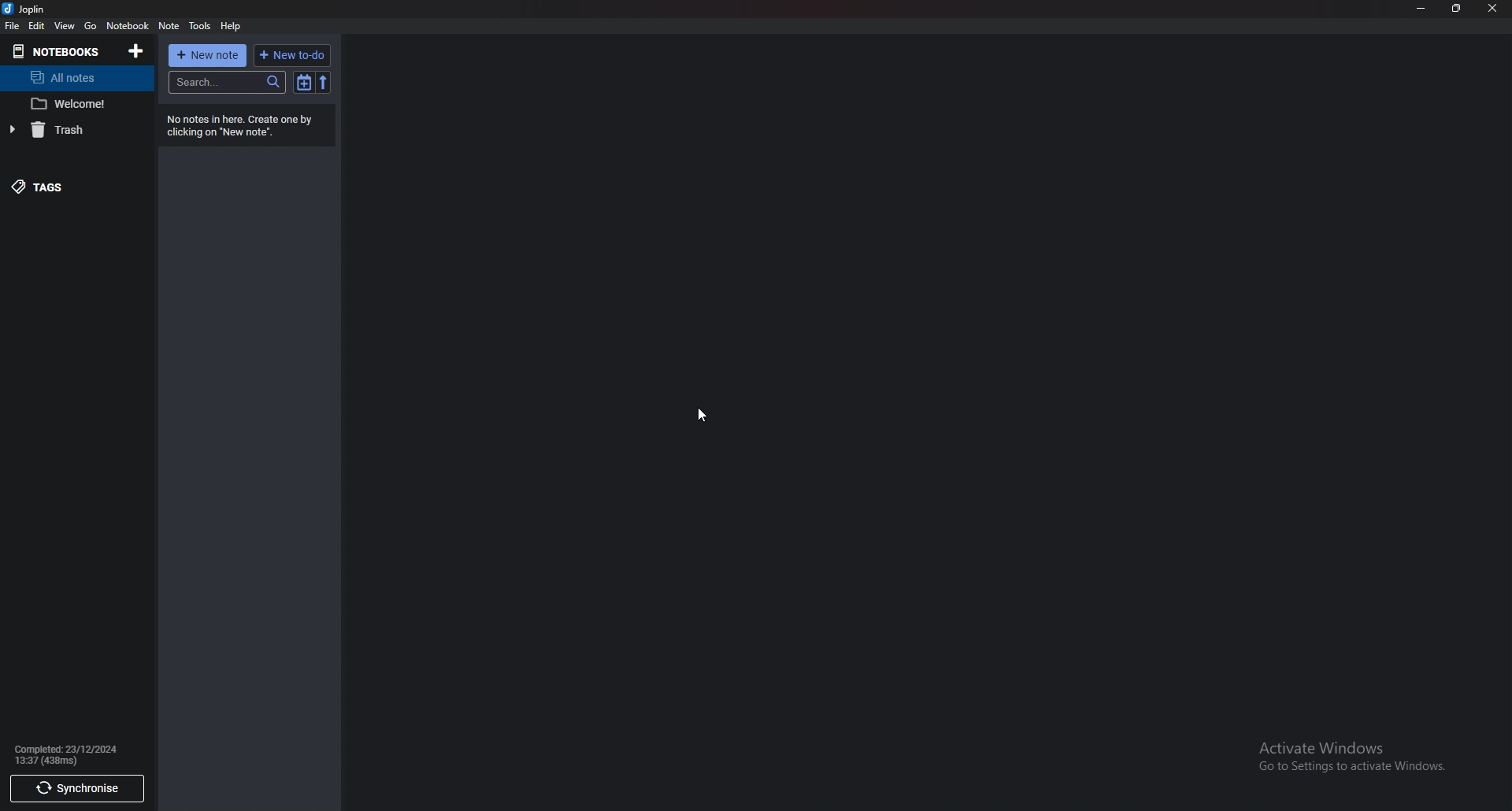 The height and width of the screenshot is (811, 1512). I want to click on Resize, so click(1459, 9).